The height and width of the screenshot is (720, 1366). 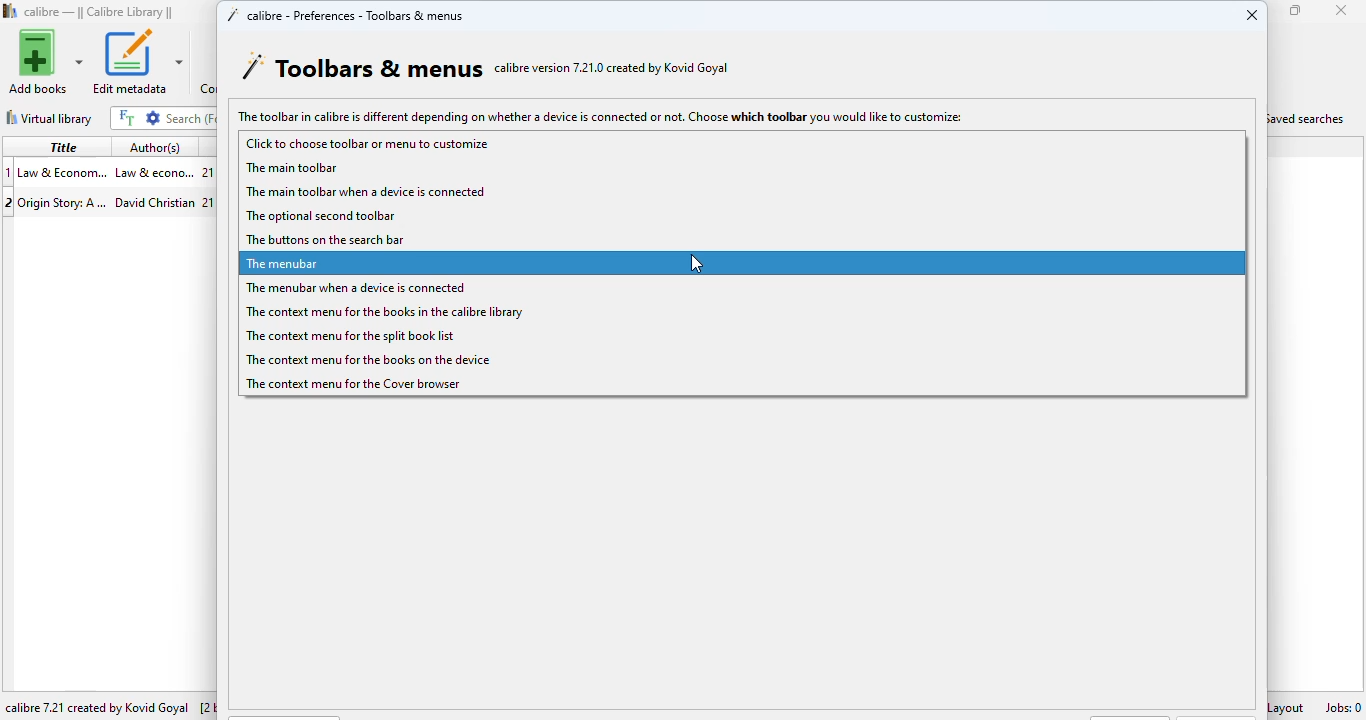 I want to click on jobs: 0, so click(x=1343, y=707).